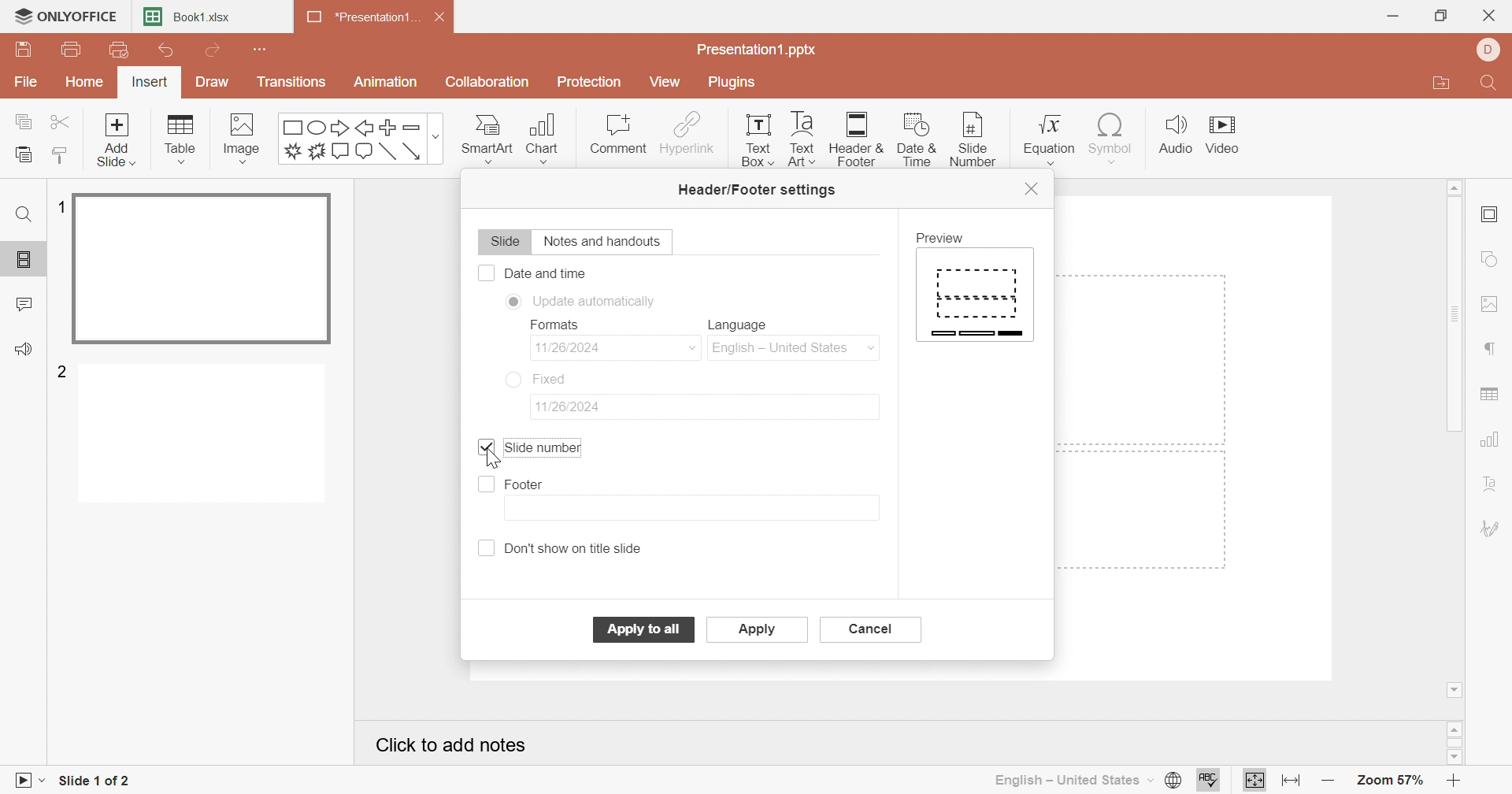 The image size is (1512, 794). Describe the element at coordinates (117, 139) in the screenshot. I see `Add Slide` at that location.